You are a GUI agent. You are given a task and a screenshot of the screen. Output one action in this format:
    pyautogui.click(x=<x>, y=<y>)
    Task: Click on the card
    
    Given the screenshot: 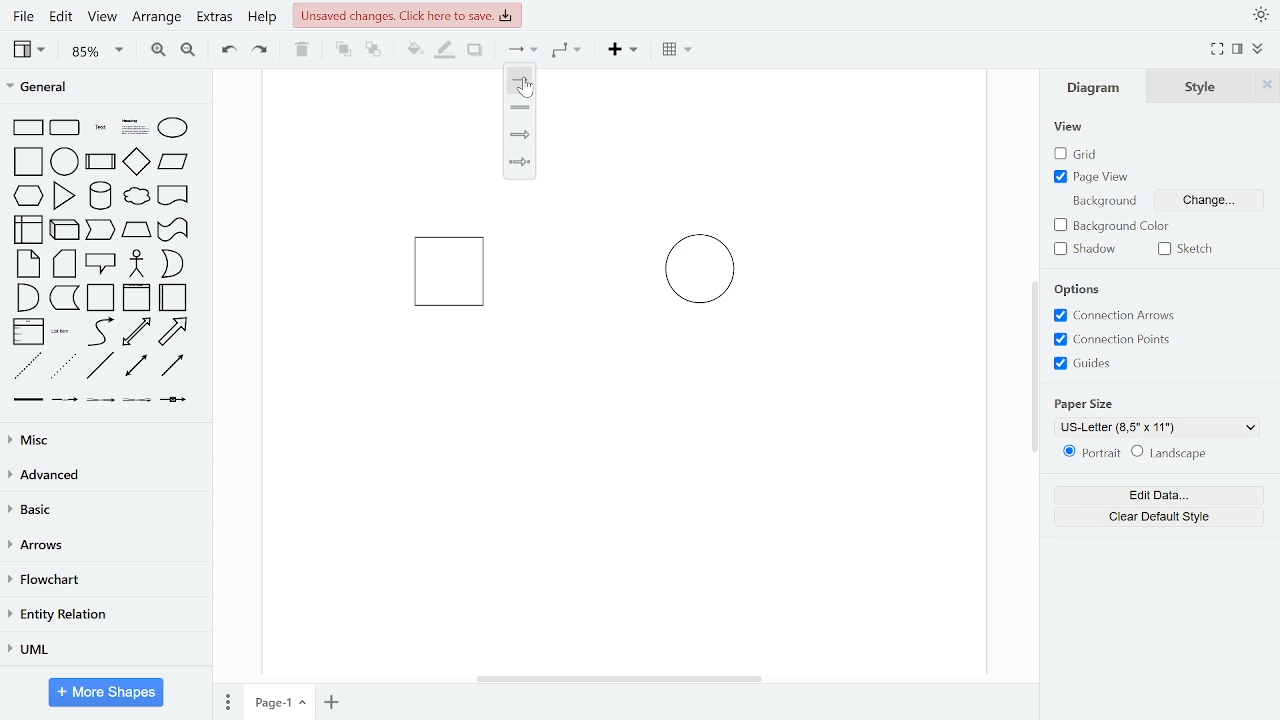 What is the action you would take?
    pyautogui.click(x=66, y=264)
    